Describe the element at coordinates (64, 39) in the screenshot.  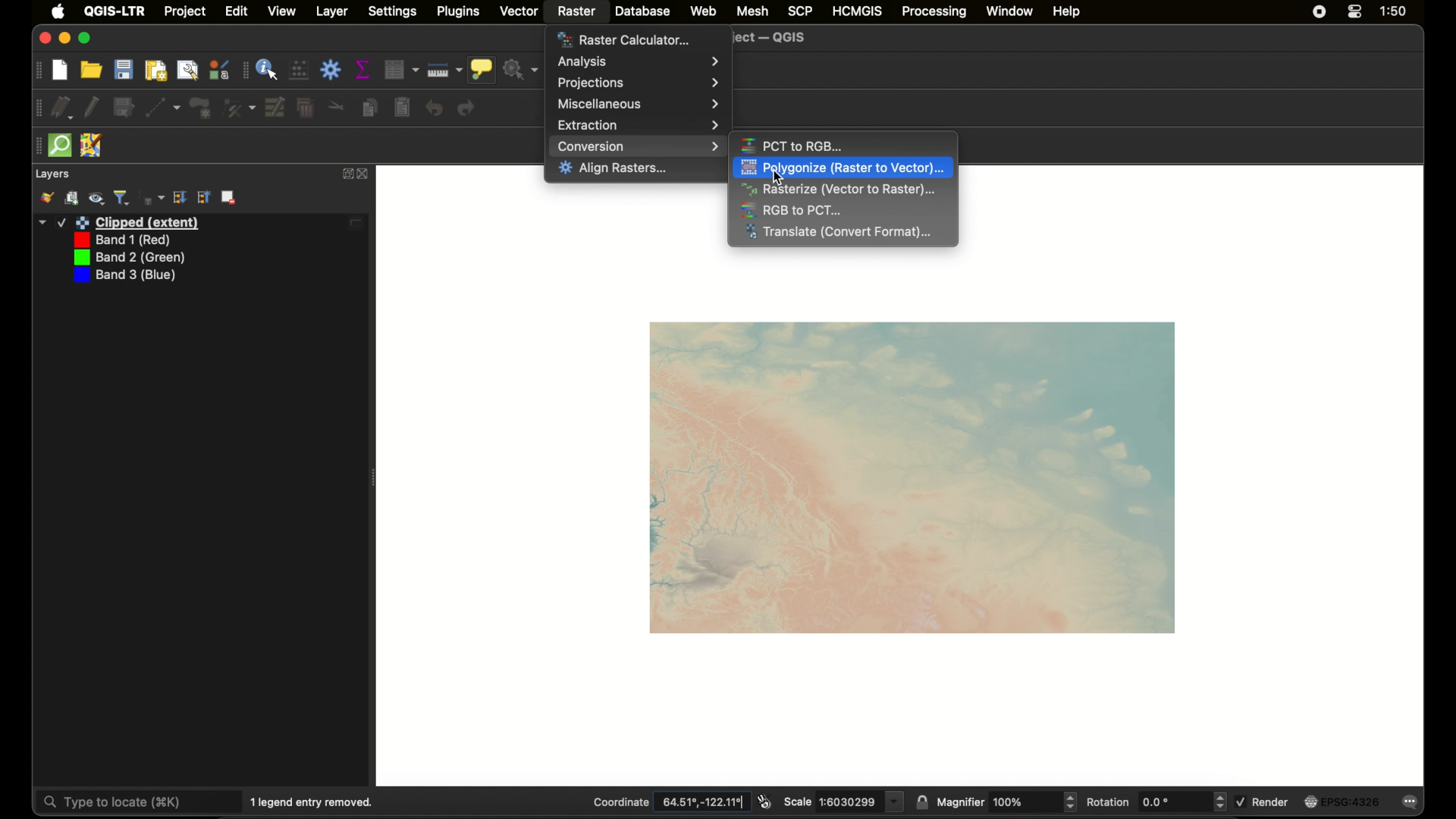
I see `minimize` at that location.